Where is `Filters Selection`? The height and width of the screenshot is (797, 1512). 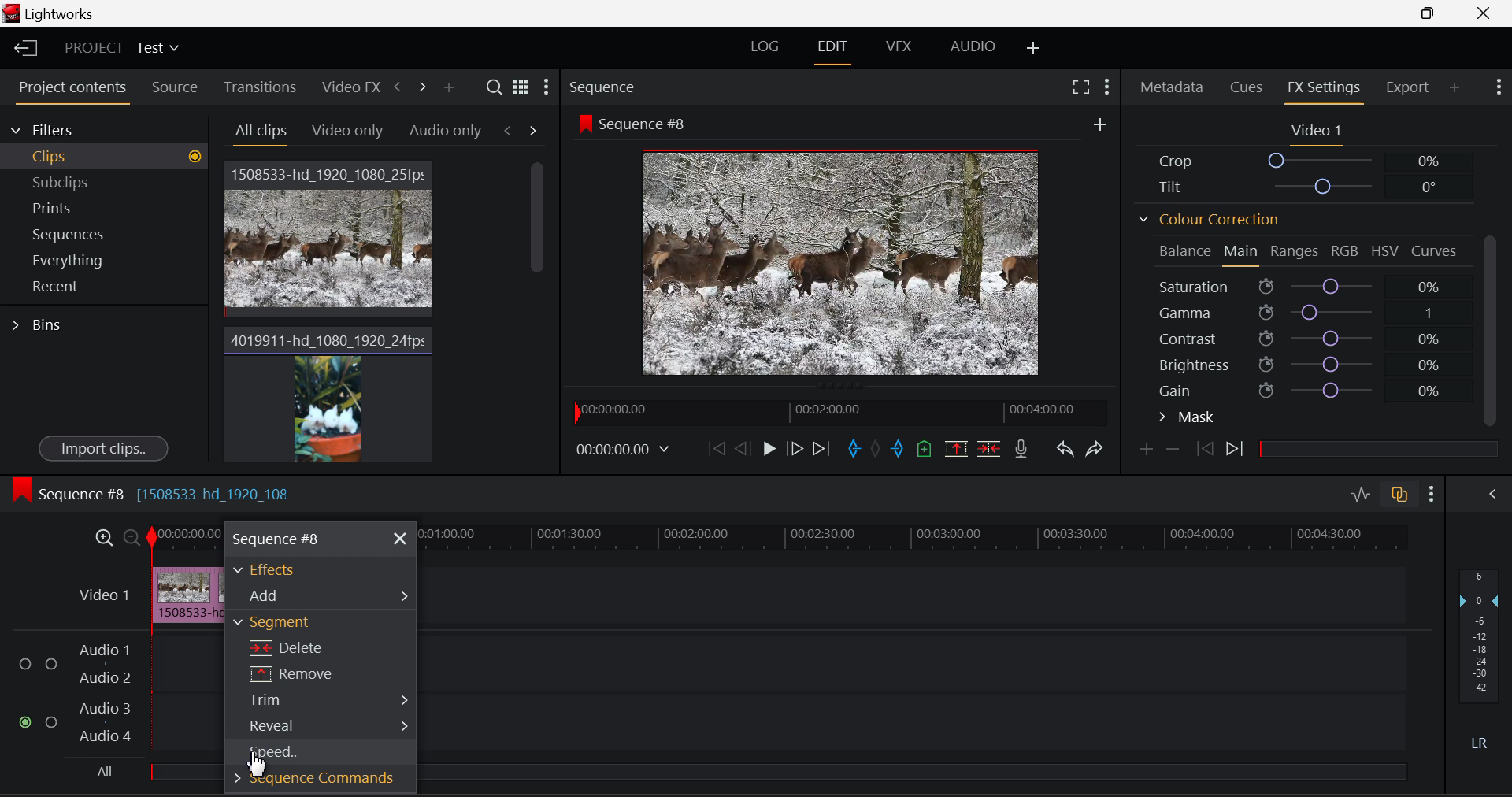 Filters Selection is located at coordinates (102, 129).